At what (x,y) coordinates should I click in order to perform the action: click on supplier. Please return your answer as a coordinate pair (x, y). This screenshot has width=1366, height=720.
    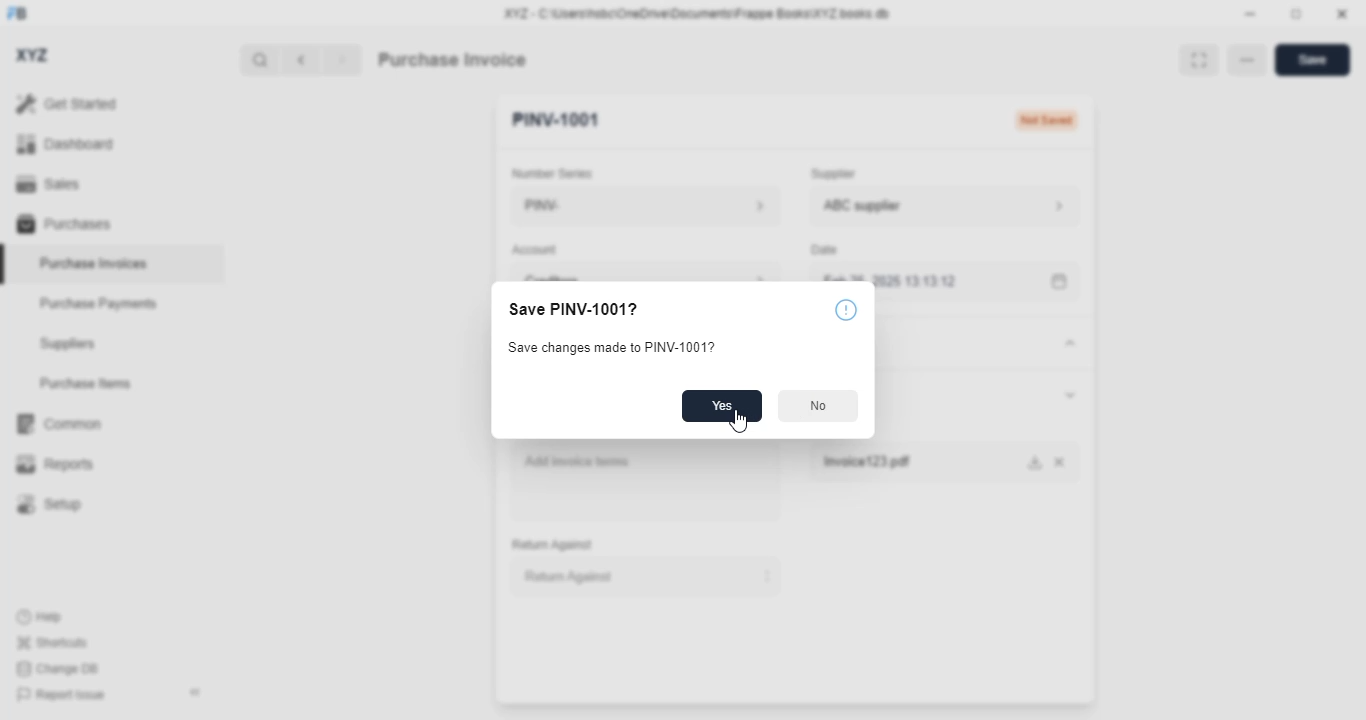
    Looking at the image, I should click on (829, 173).